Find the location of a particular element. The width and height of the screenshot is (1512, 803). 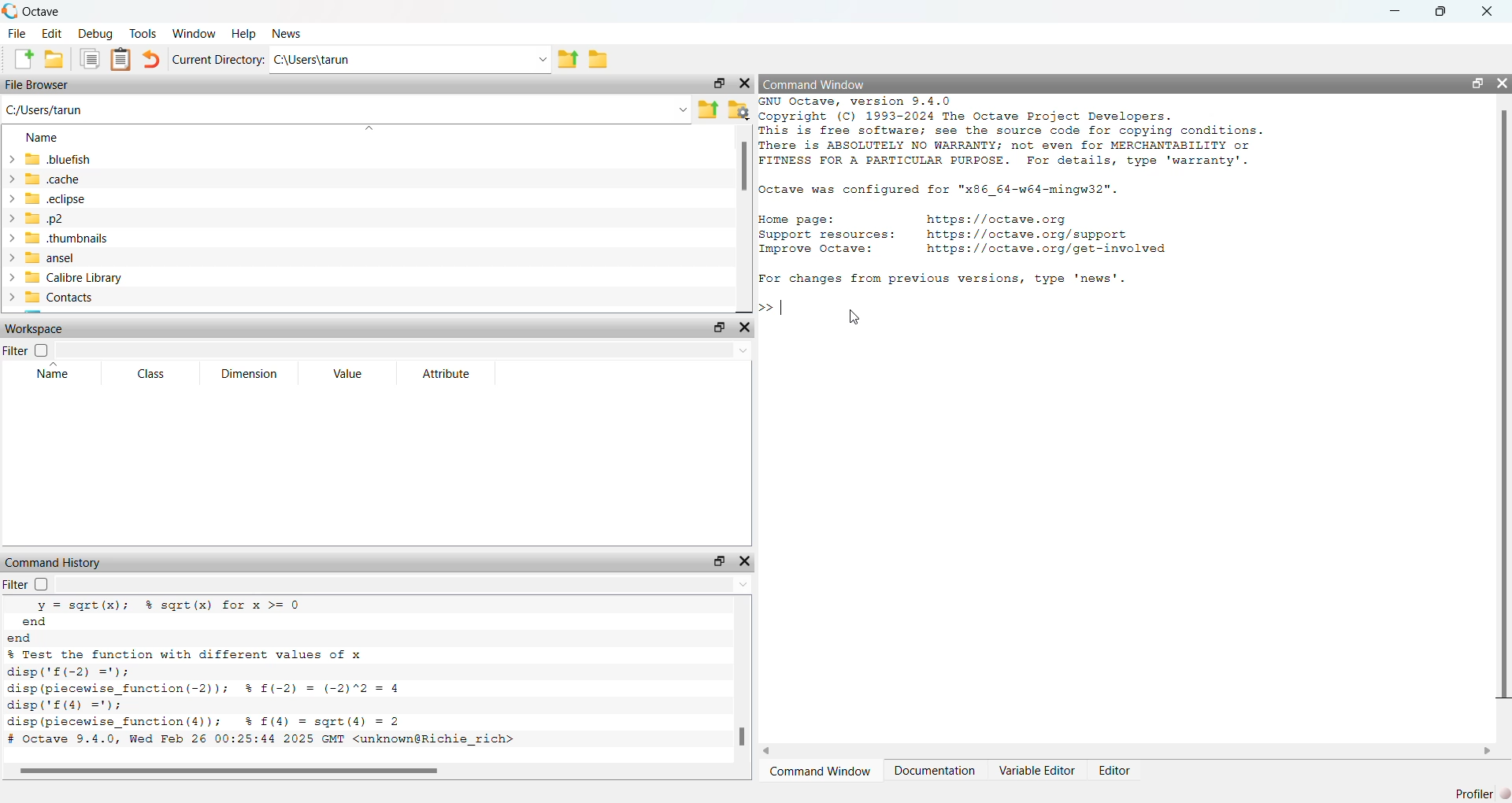

>  thumbnails is located at coordinates (58, 239).